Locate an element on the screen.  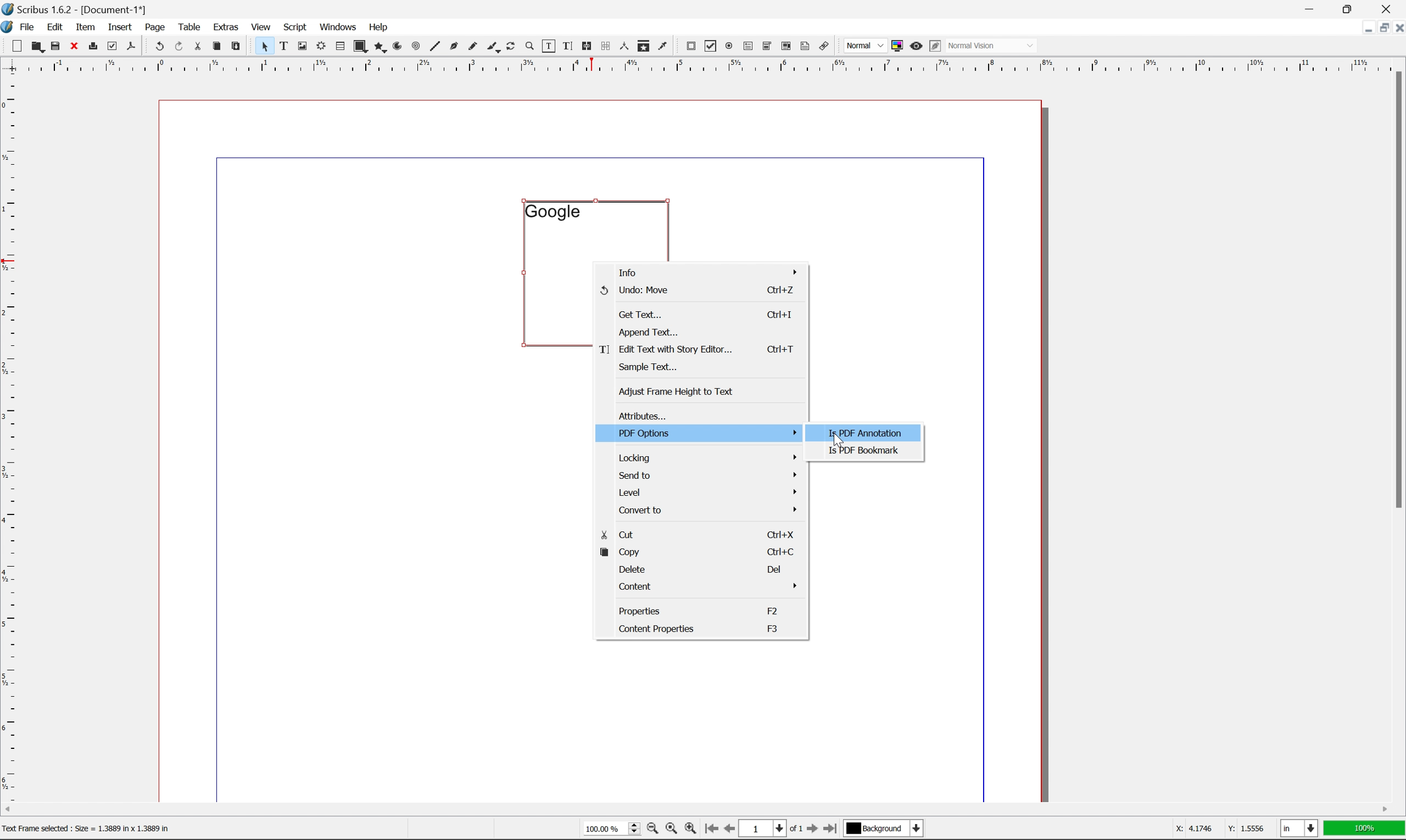
scroll bar is located at coordinates (1396, 289).